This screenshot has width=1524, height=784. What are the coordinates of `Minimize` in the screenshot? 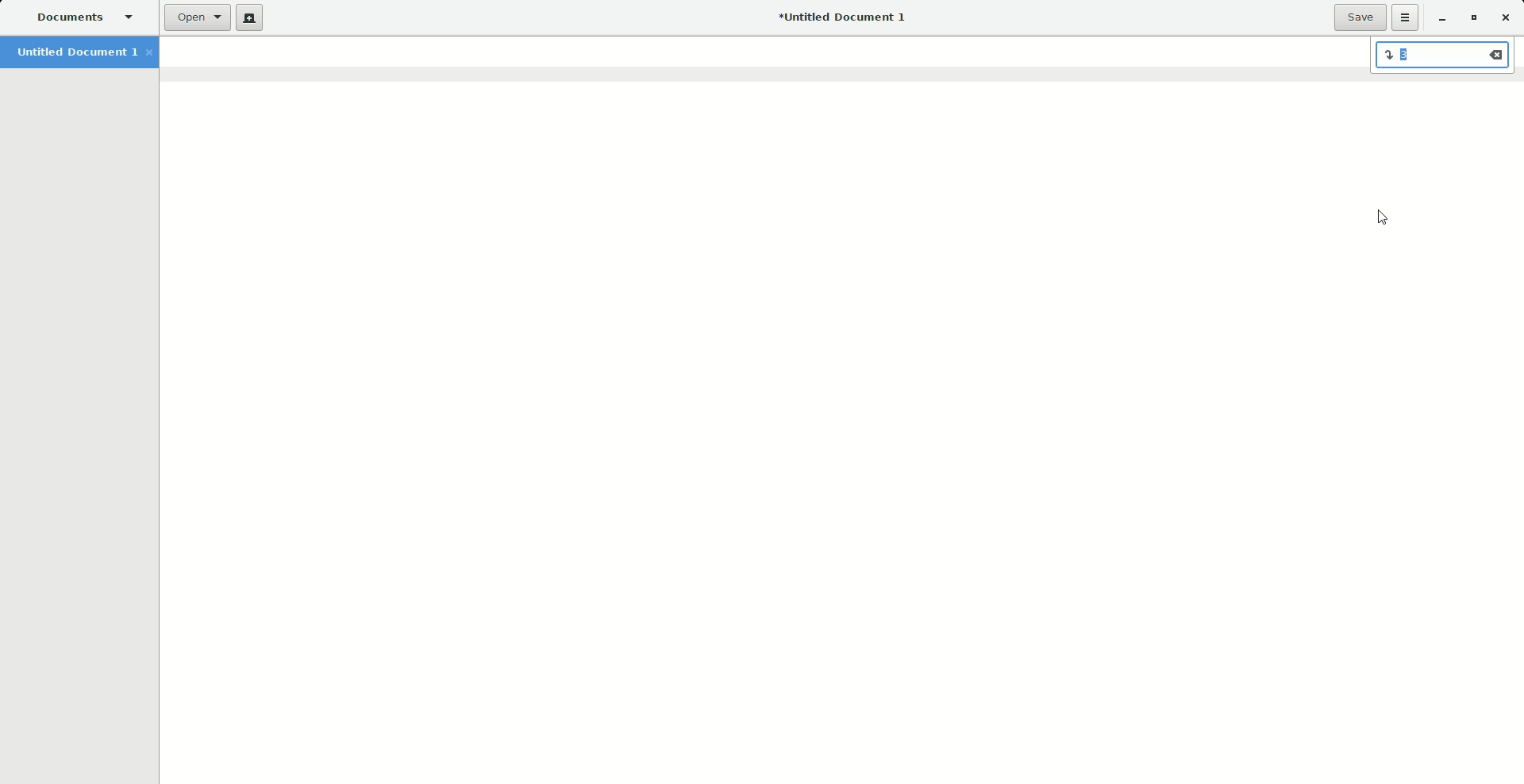 It's located at (1441, 19).